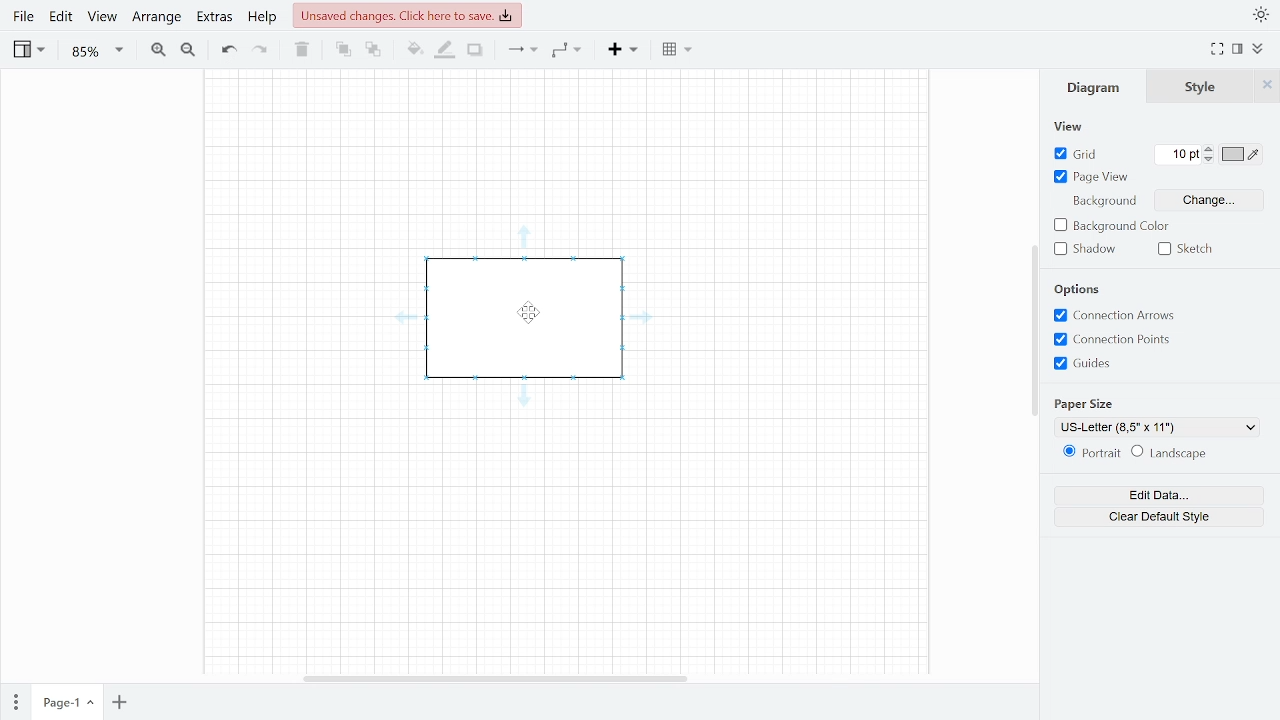  Describe the element at coordinates (1090, 403) in the screenshot. I see `Paper size` at that location.